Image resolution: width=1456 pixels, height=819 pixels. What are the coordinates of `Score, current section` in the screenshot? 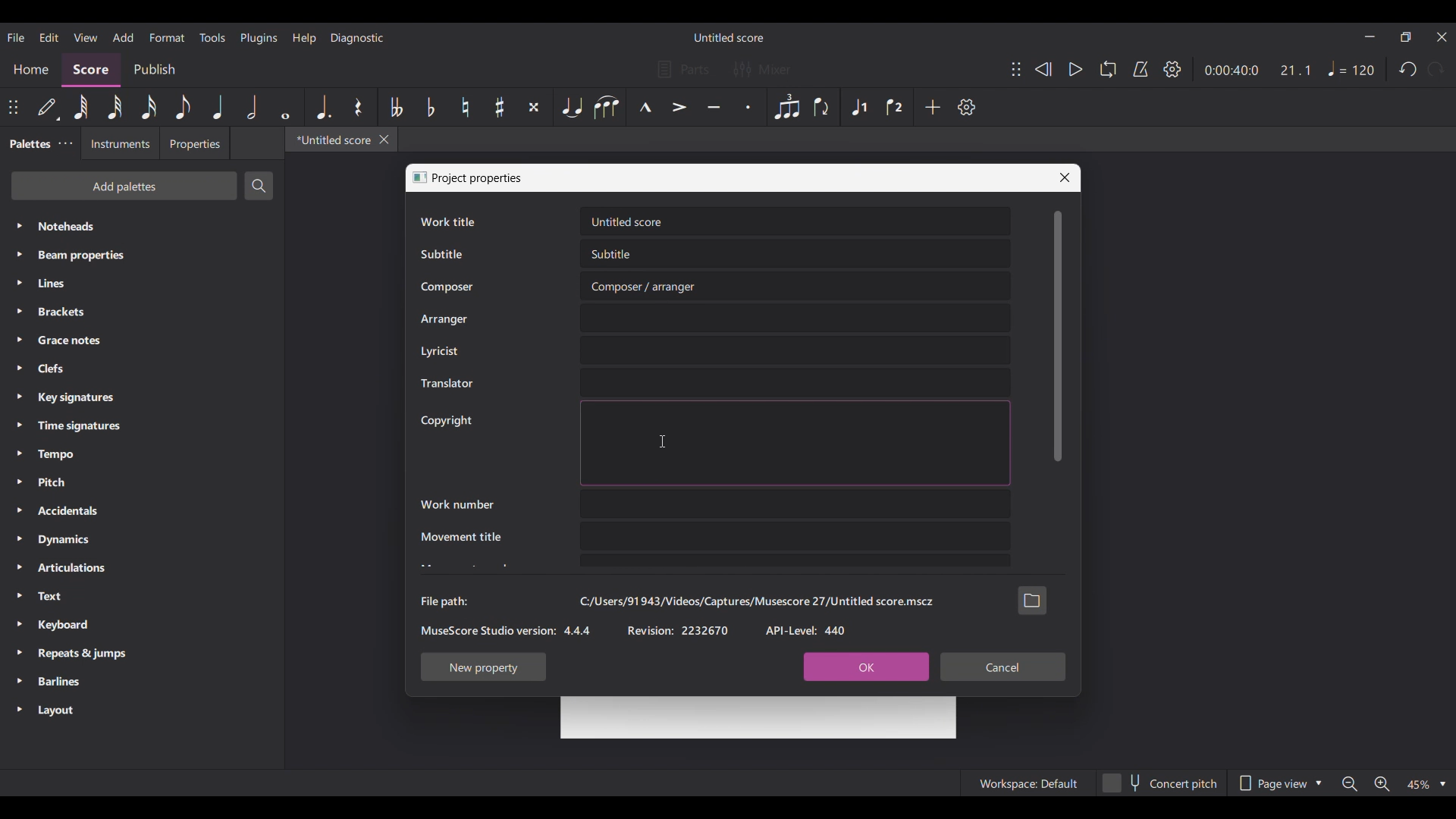 It's located at (92, 70).